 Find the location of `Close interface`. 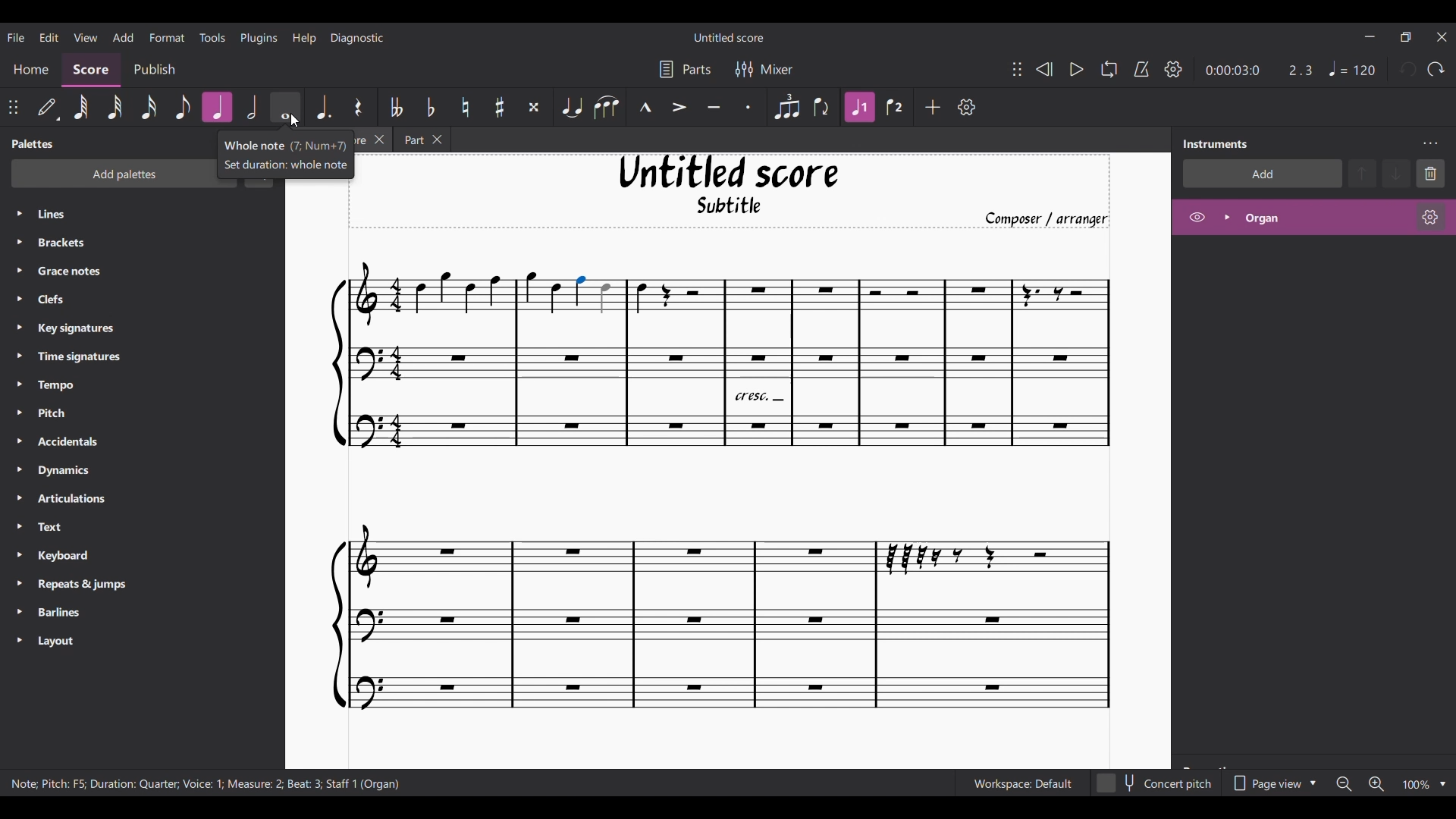

Close interface is located at coordinates (1442, 37).